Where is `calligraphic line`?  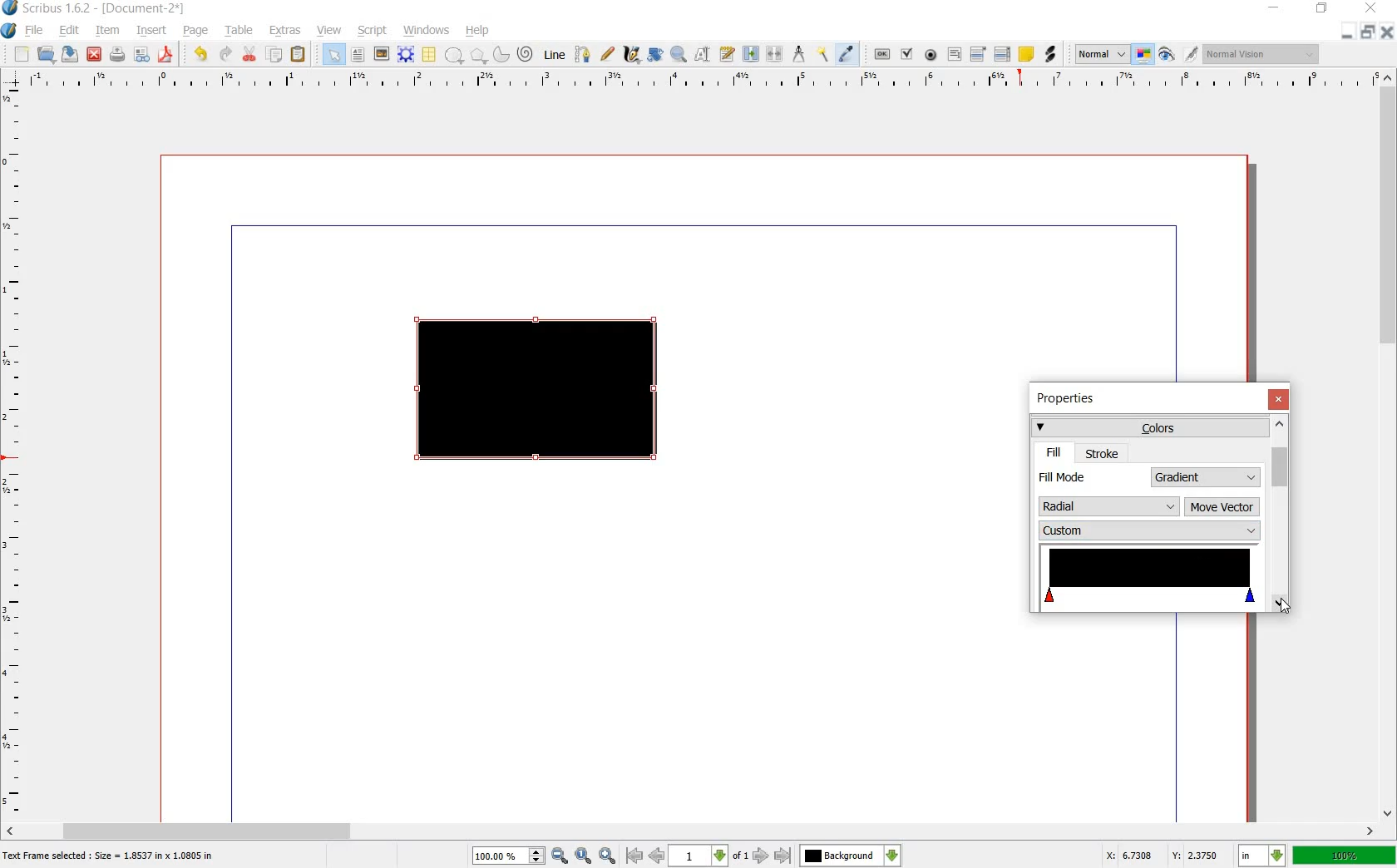 calligraphic line is located at coordinates (631, 53).